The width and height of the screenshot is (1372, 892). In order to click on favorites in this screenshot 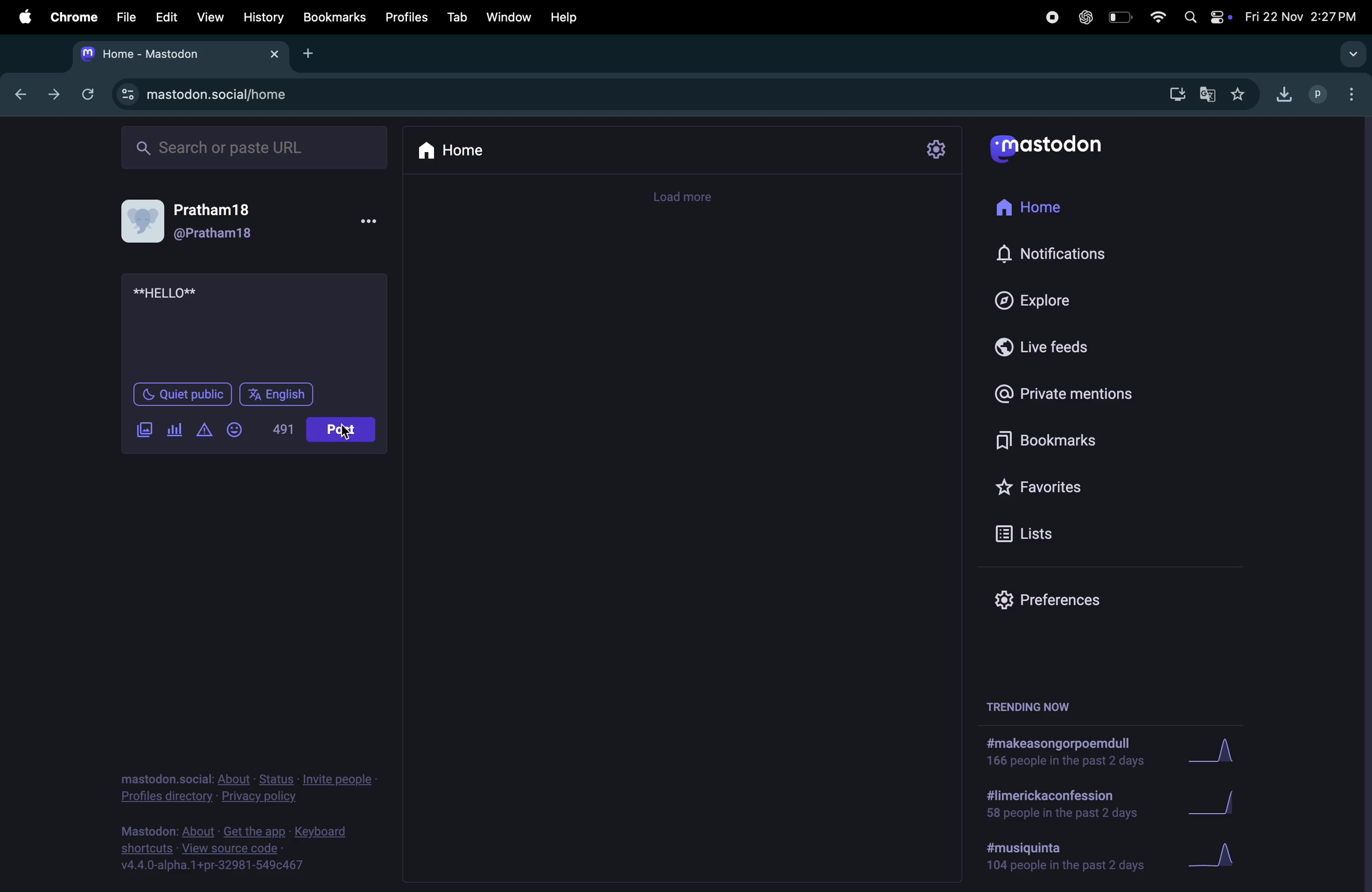, I will do `click(1087, 488)`.